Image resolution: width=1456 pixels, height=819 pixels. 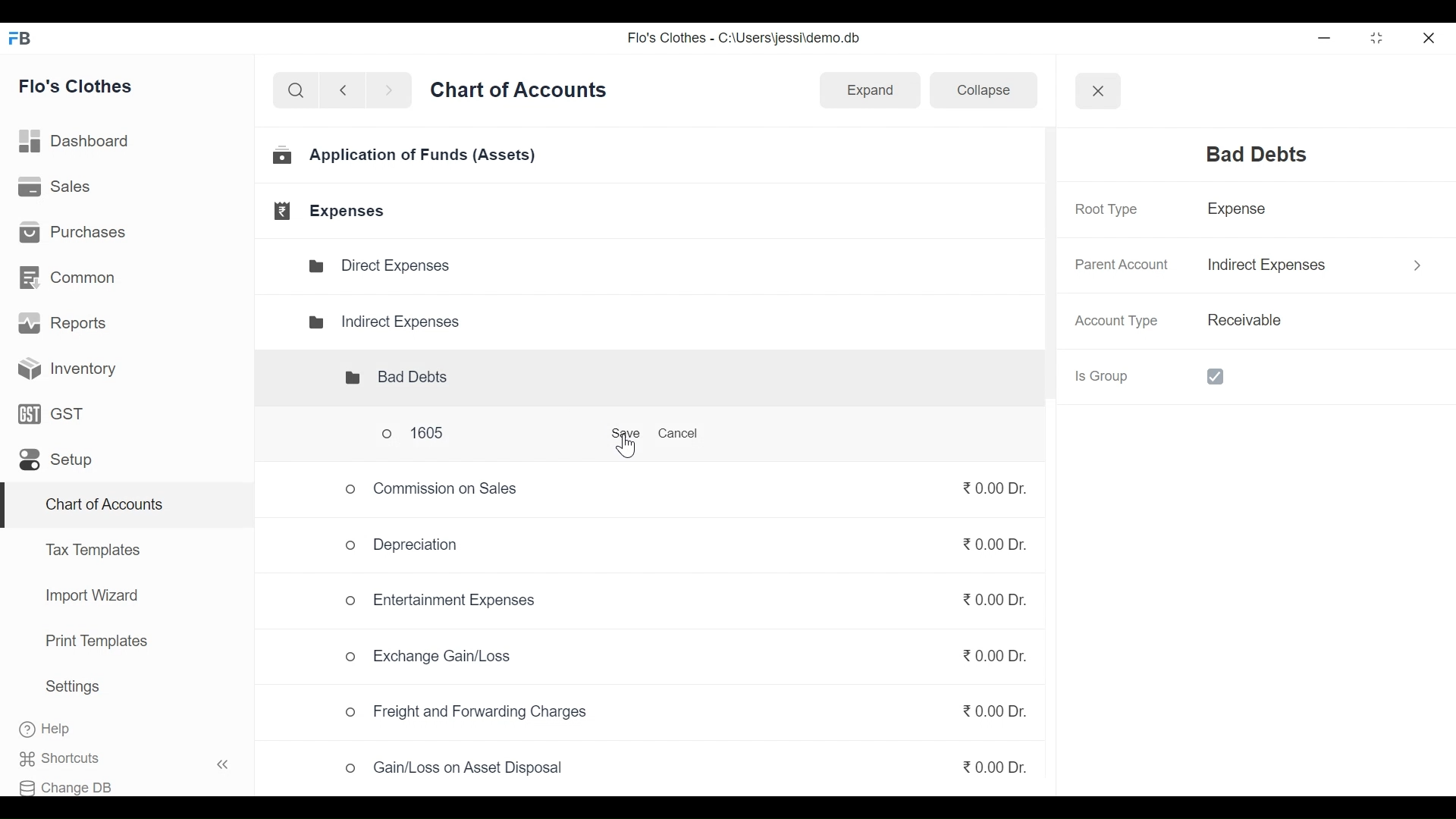 I want to click on More options, so click(x=1410, y=262).